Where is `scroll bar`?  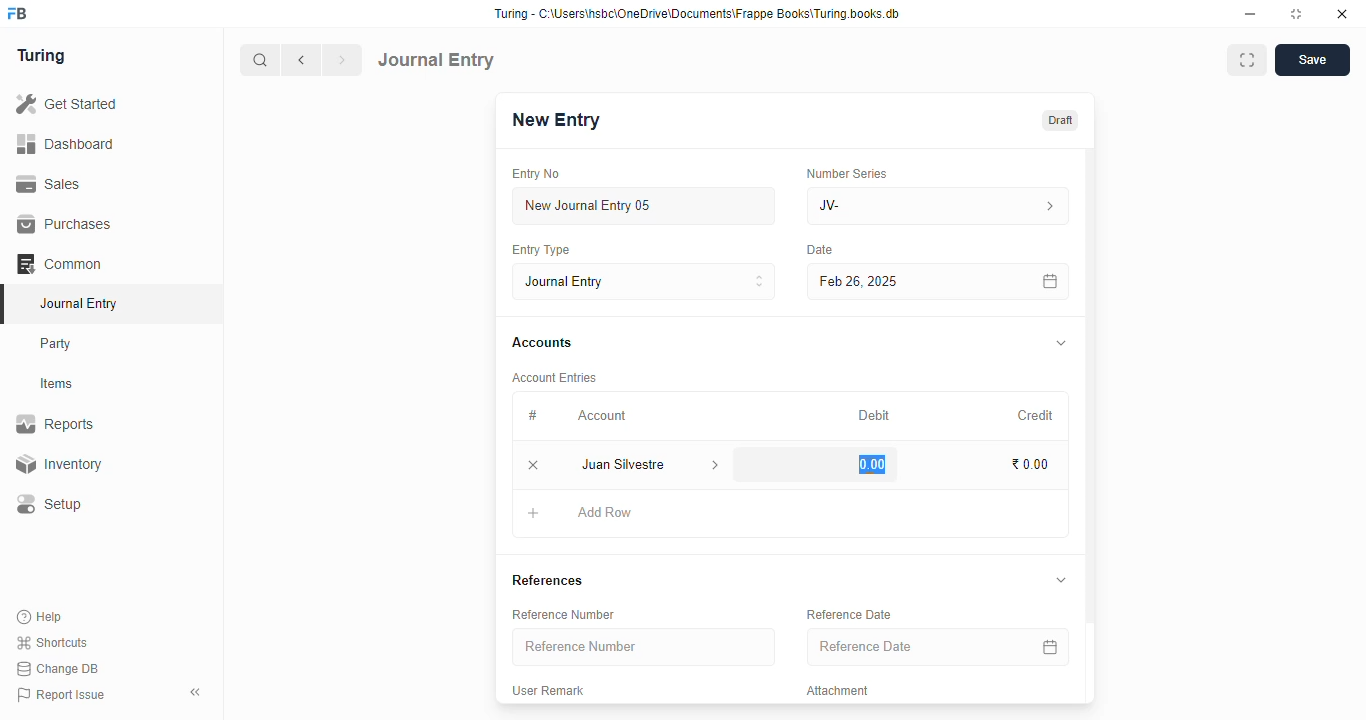 scroll bar is located at coordinates (1091, 424).